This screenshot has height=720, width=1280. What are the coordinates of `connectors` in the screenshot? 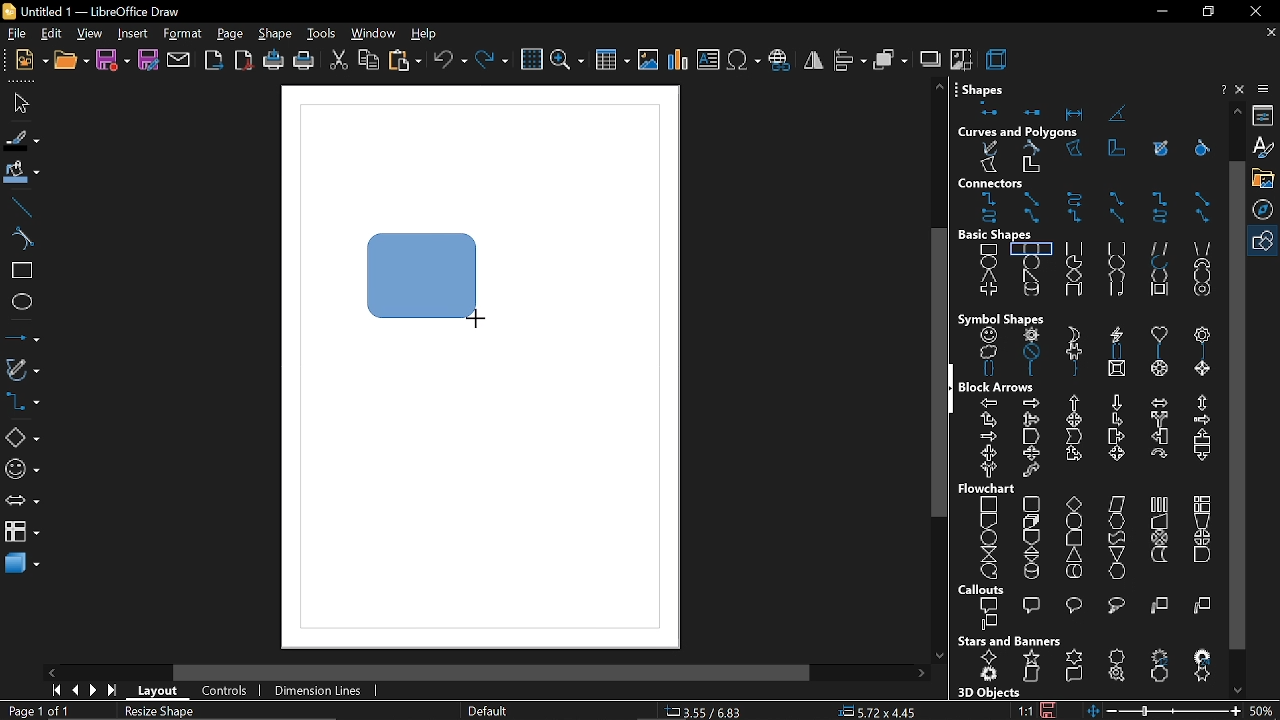 It's located at (1015, 184).